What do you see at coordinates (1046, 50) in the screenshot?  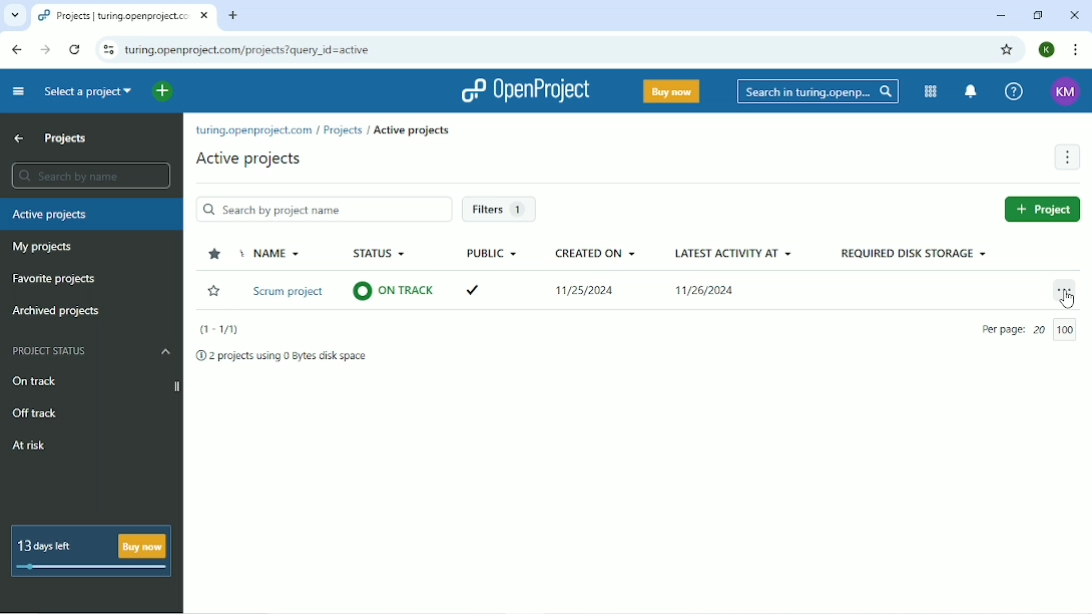 I see `Account` at bounding box center [1046, 50].